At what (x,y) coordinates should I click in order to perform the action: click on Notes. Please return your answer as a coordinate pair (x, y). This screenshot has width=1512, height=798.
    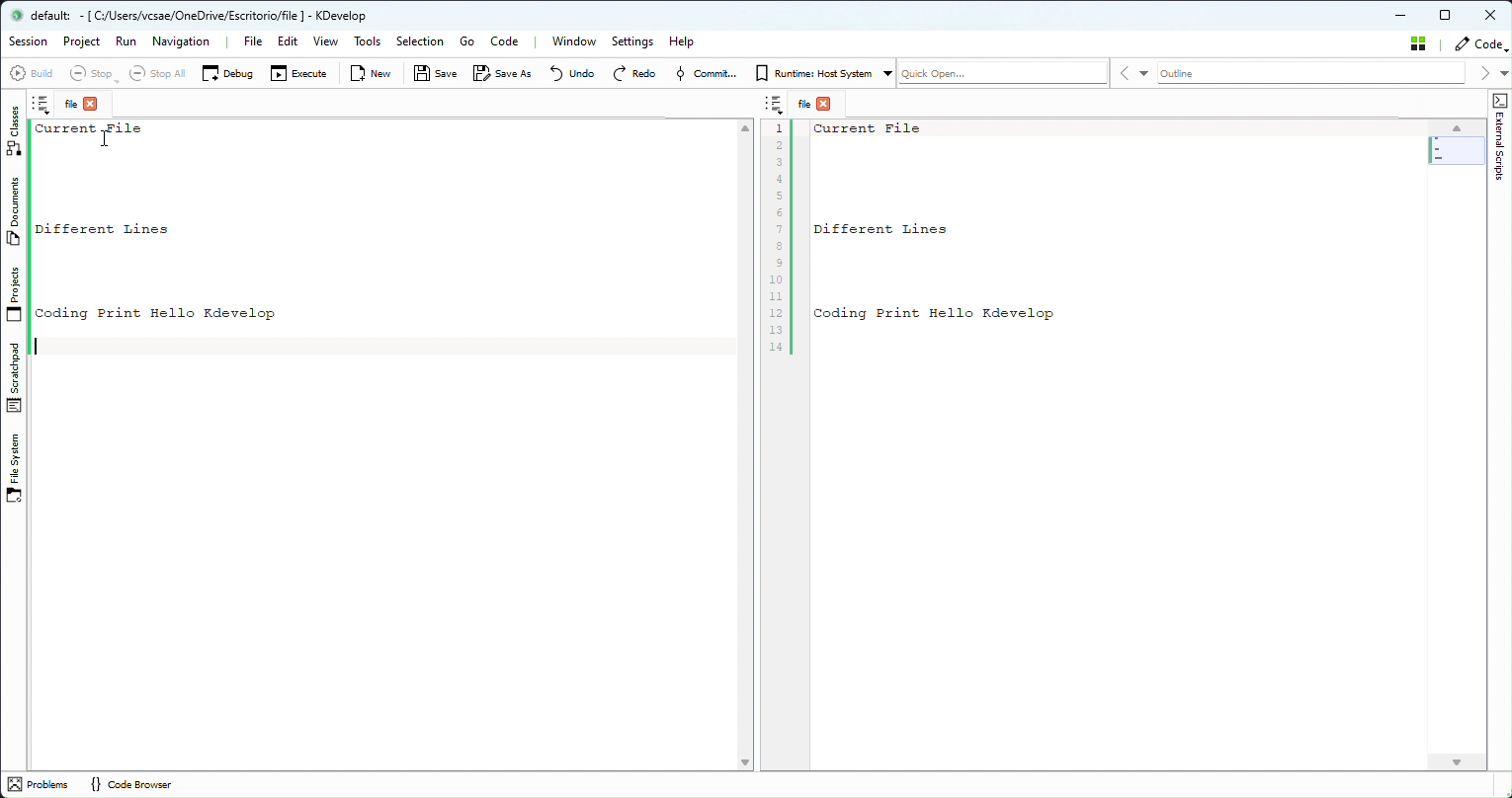
    Looking at the image, I should click on (42, 104).